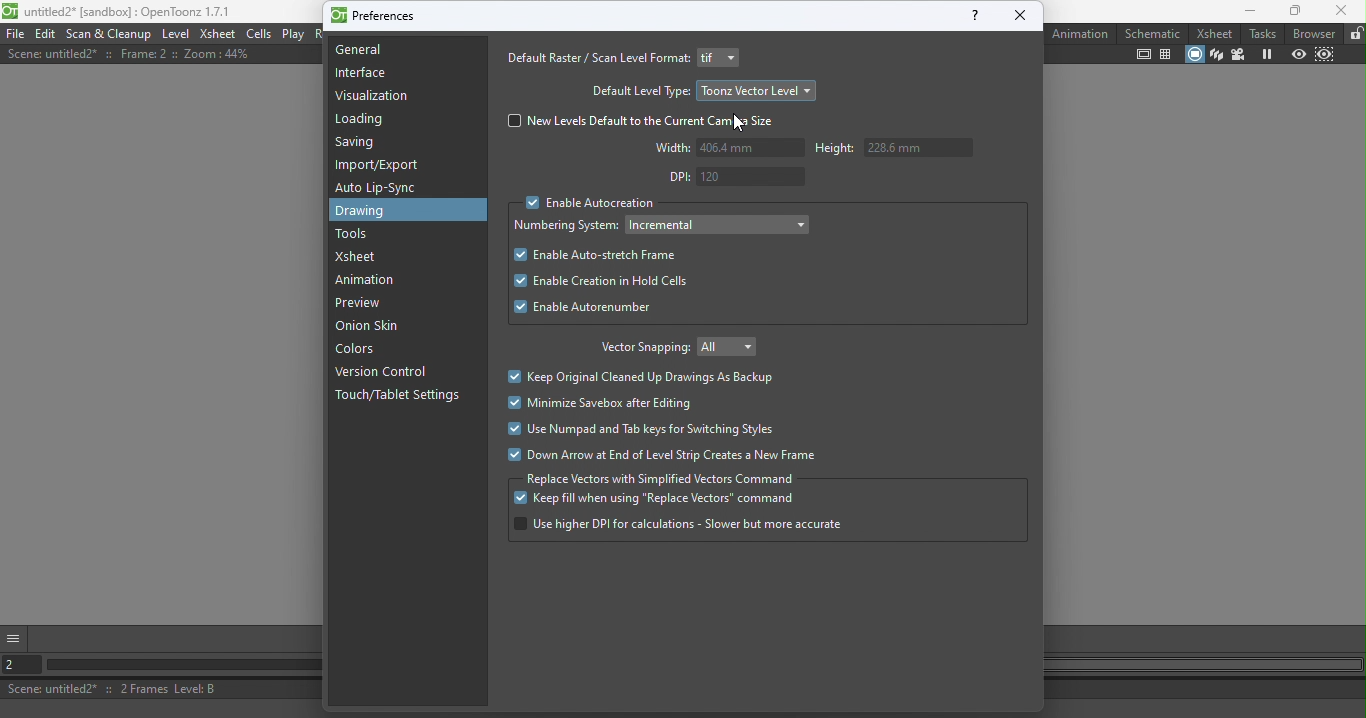 The width and height of the screenshot is (1366, 718). Describe the element at coordinates (379, 188) in the screenshot. I see `Auto lip-sync` at that location.